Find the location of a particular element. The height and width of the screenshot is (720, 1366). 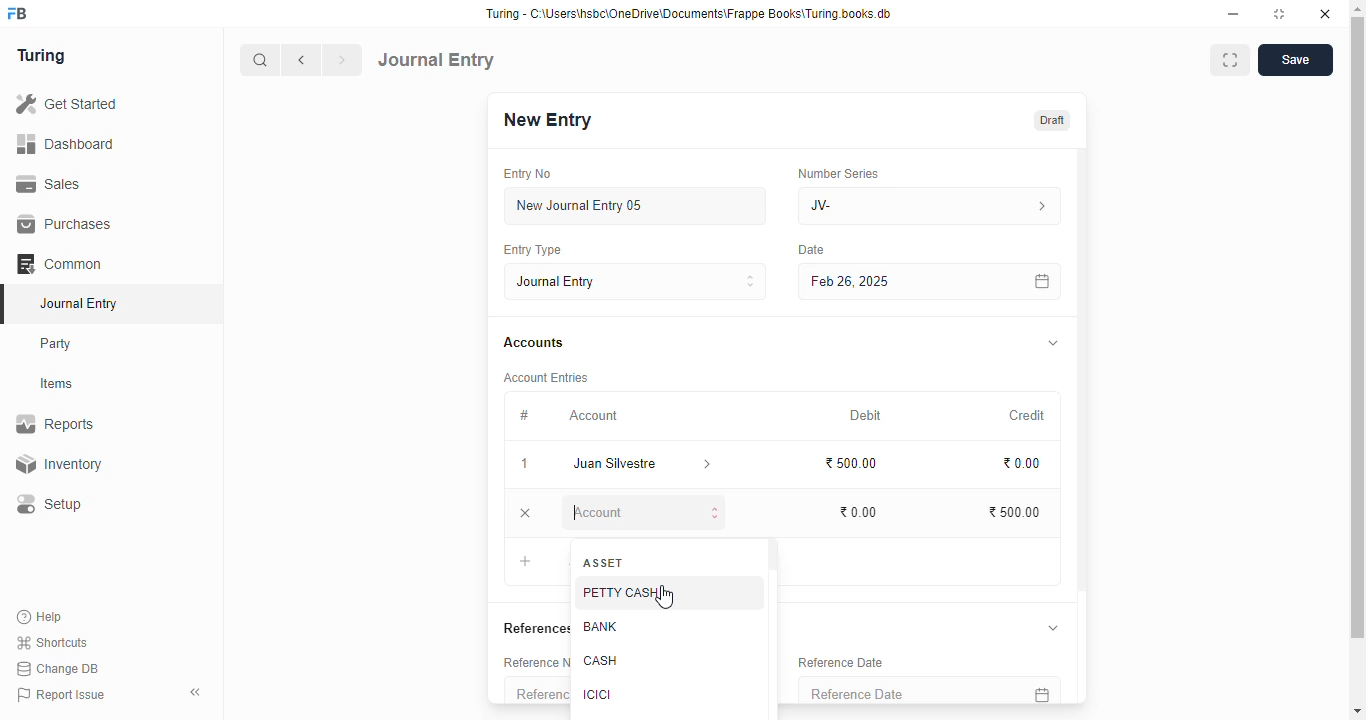

party is located at coordinates (58, 344).